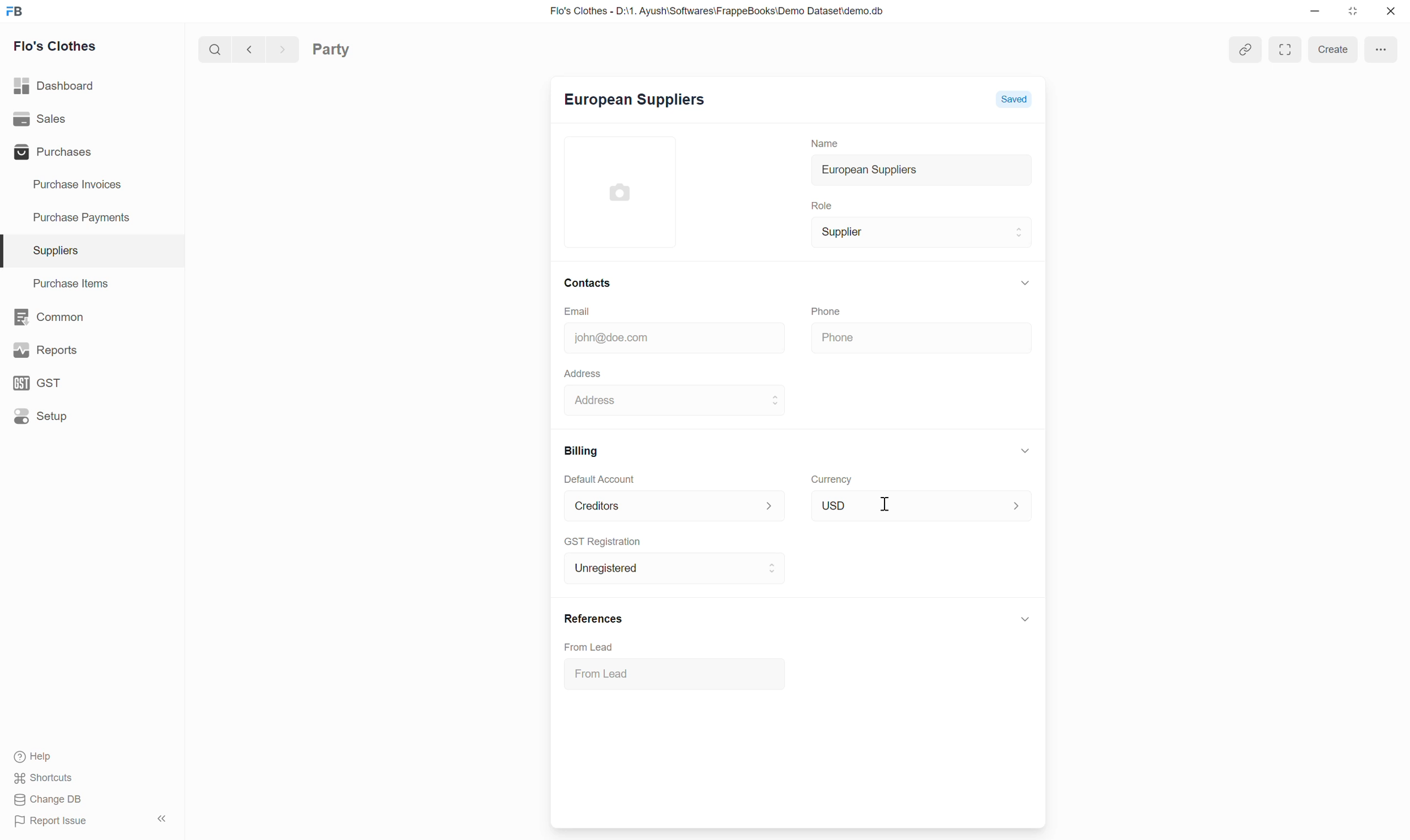  Describe the element at coordinates (839, 309) in the screenshot. I see `Phone` at that location.